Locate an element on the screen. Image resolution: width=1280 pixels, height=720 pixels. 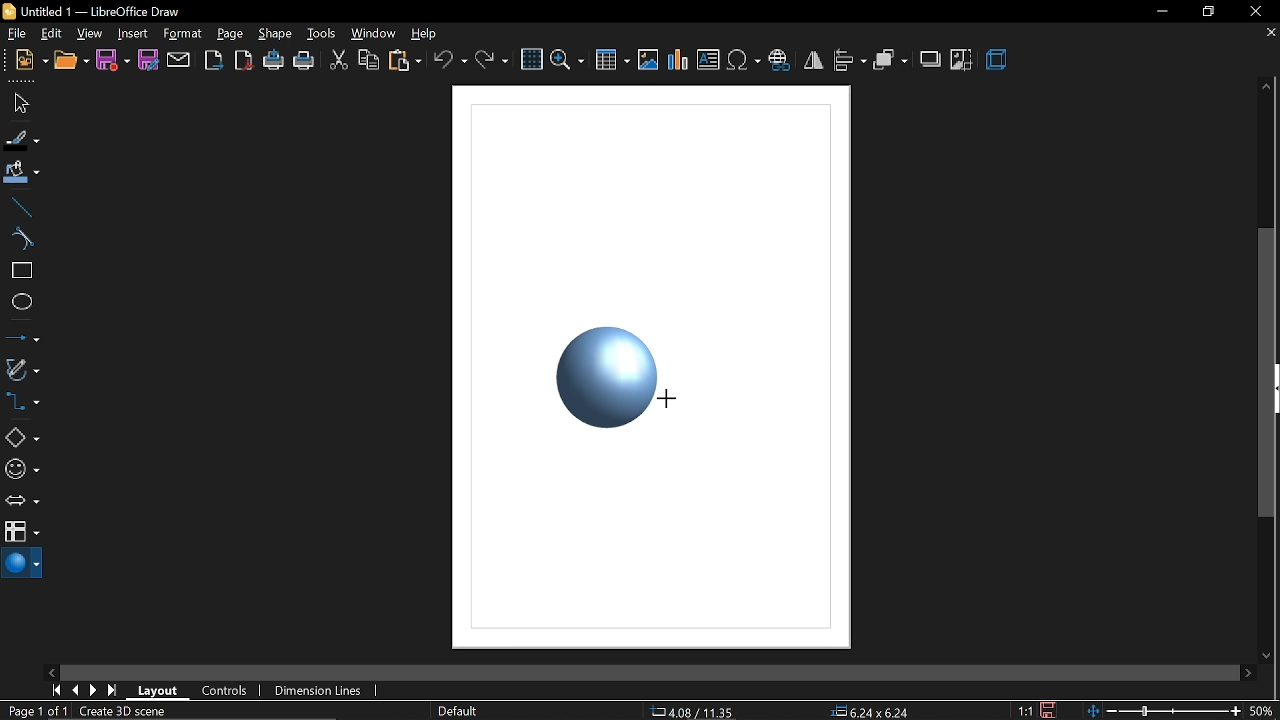
shape is located at coordinates (277, 35).